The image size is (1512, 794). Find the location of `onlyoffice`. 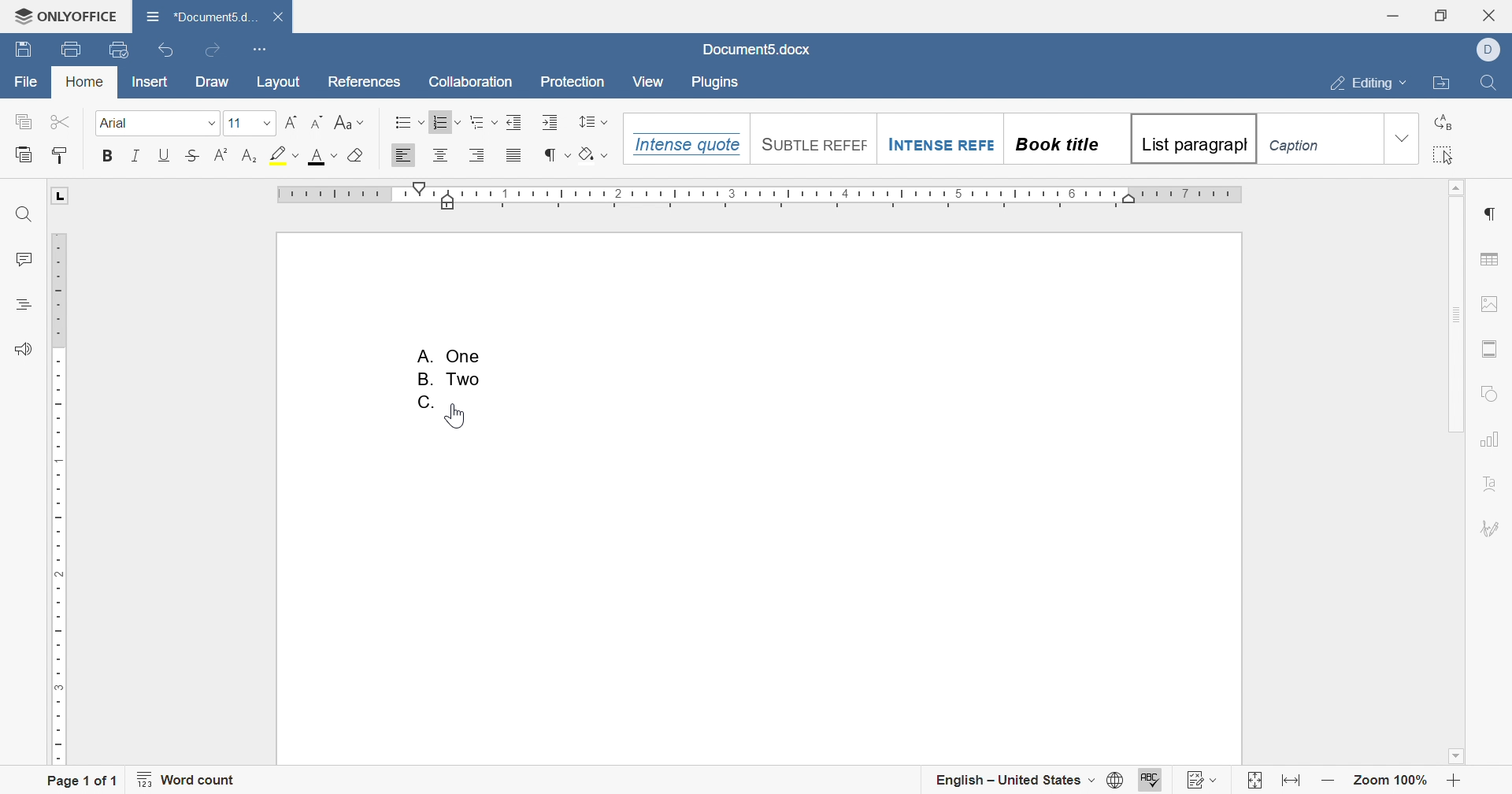

onlyoffice is located at coordinates (66, 16).